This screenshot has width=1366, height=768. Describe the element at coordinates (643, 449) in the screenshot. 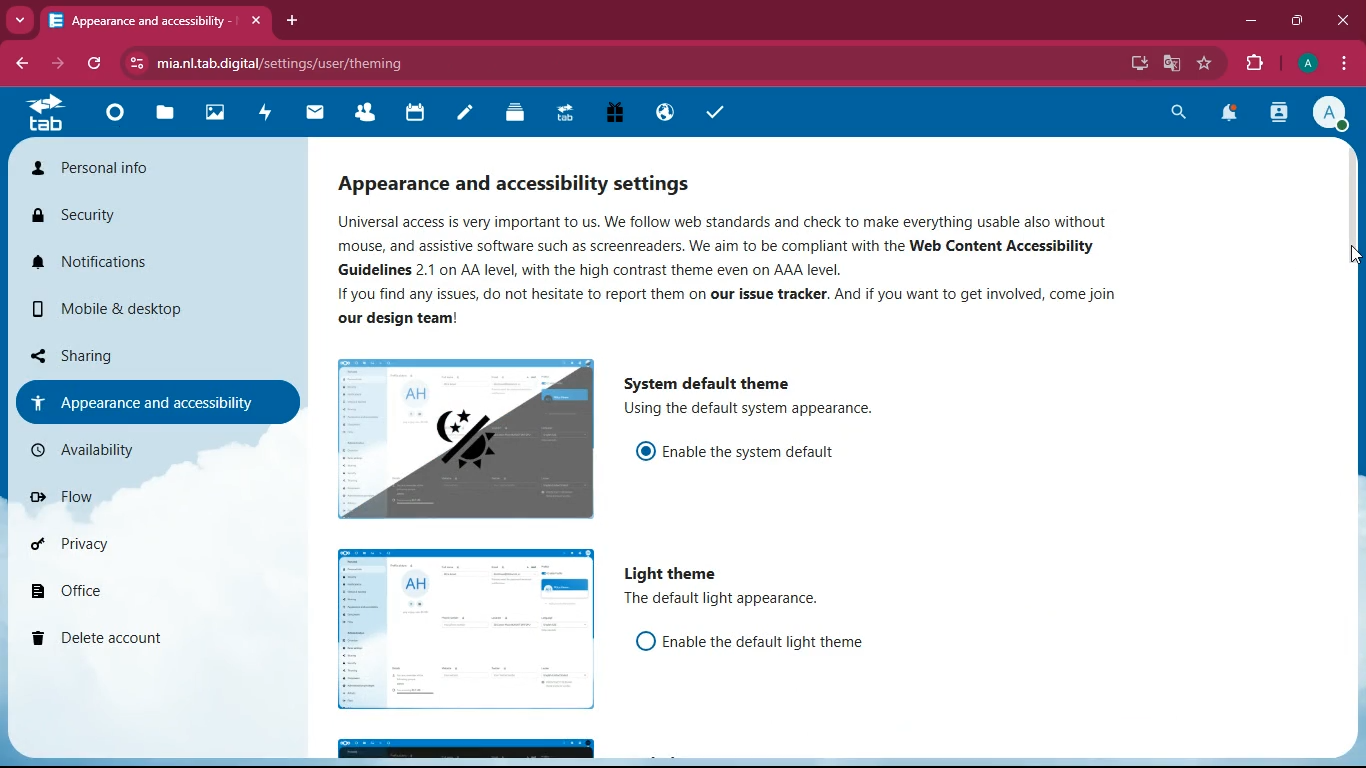

I see `on` at that location.